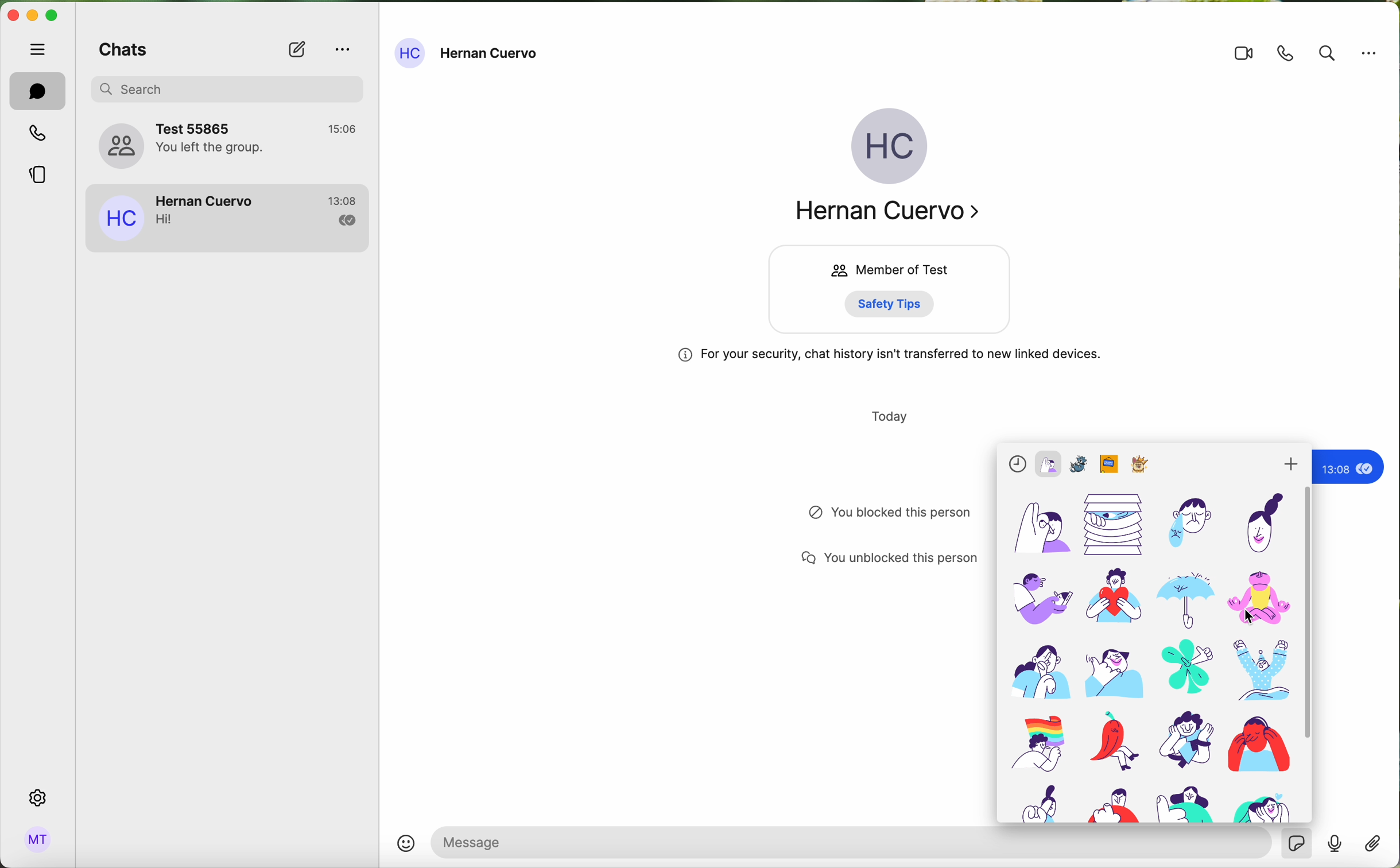 This screenshot has width=1400, height=868. I want to click on saftey test, so click(895, 304).